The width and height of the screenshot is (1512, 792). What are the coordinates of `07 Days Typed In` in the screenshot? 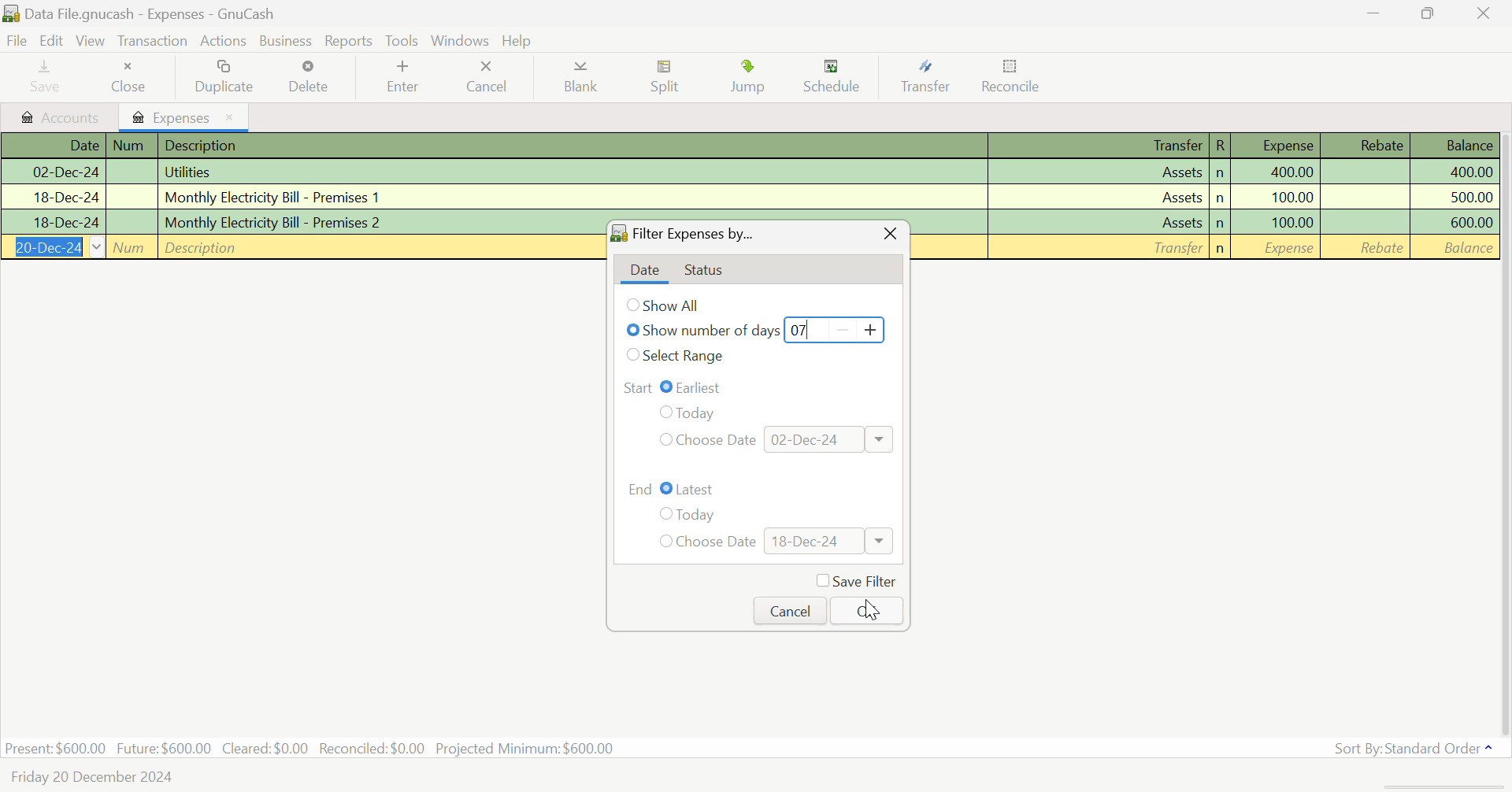 It's located at (836, 328).